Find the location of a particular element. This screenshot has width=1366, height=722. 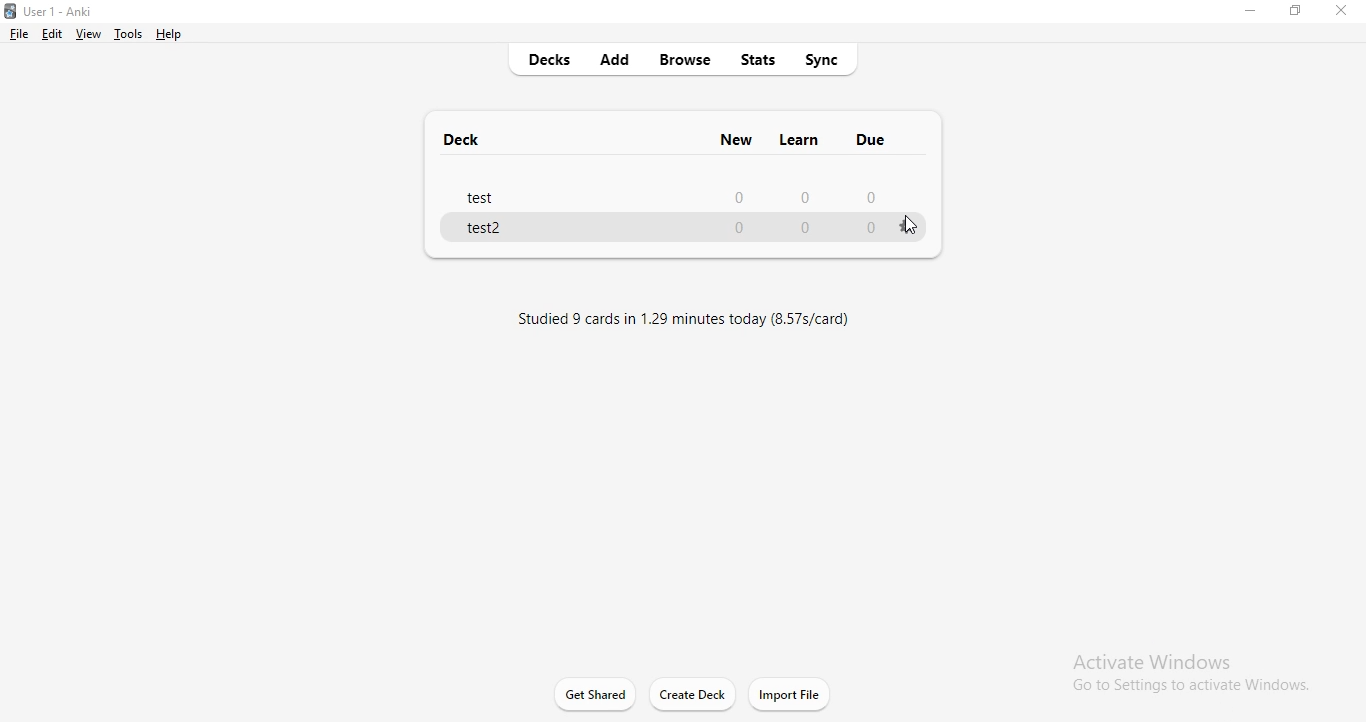

get shared is located at coordinates (596, 696).